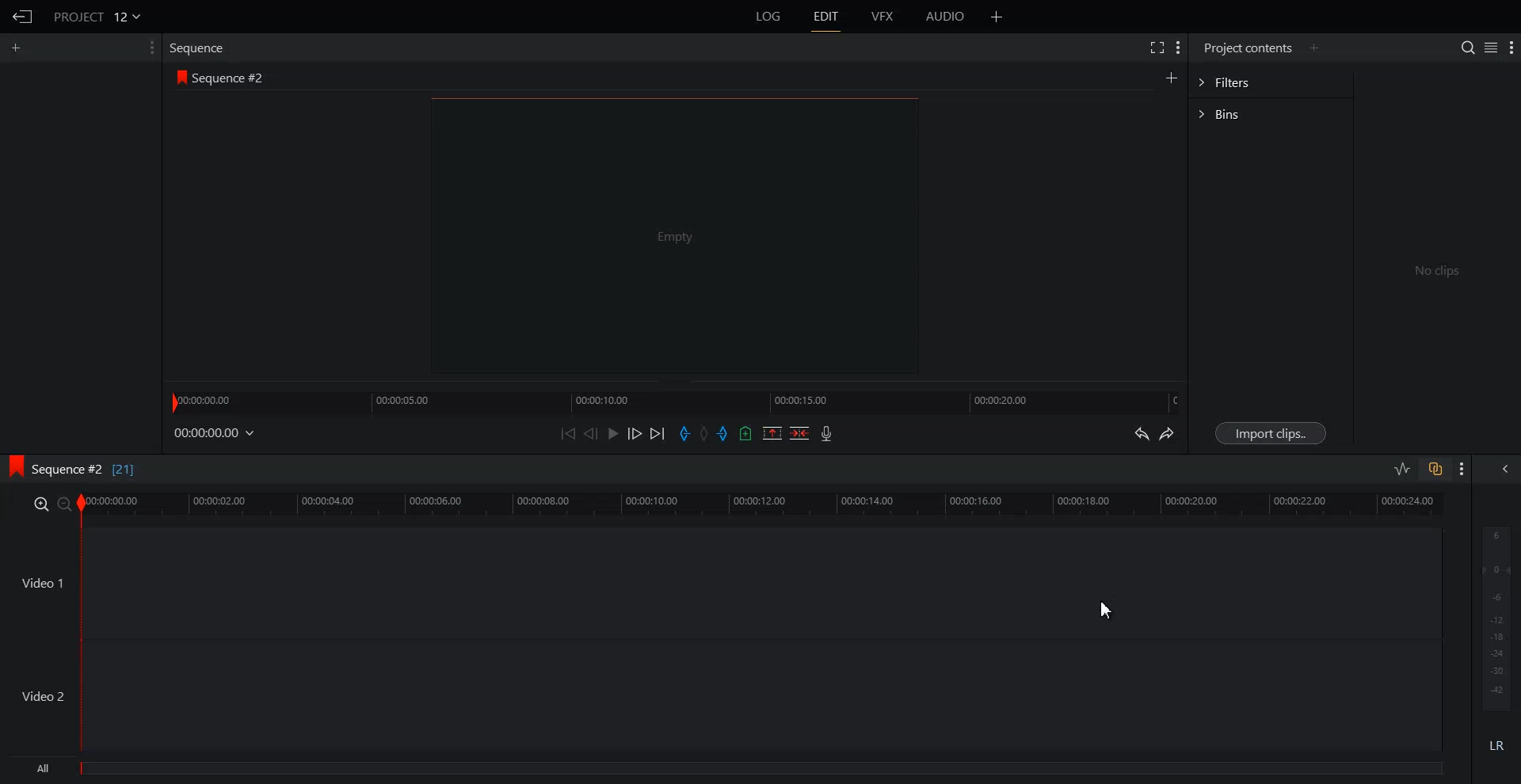 The image size is (1521, 784). Describe the element at coordinates (1497, 745) in the screenshot. I see `Mute` at that location.